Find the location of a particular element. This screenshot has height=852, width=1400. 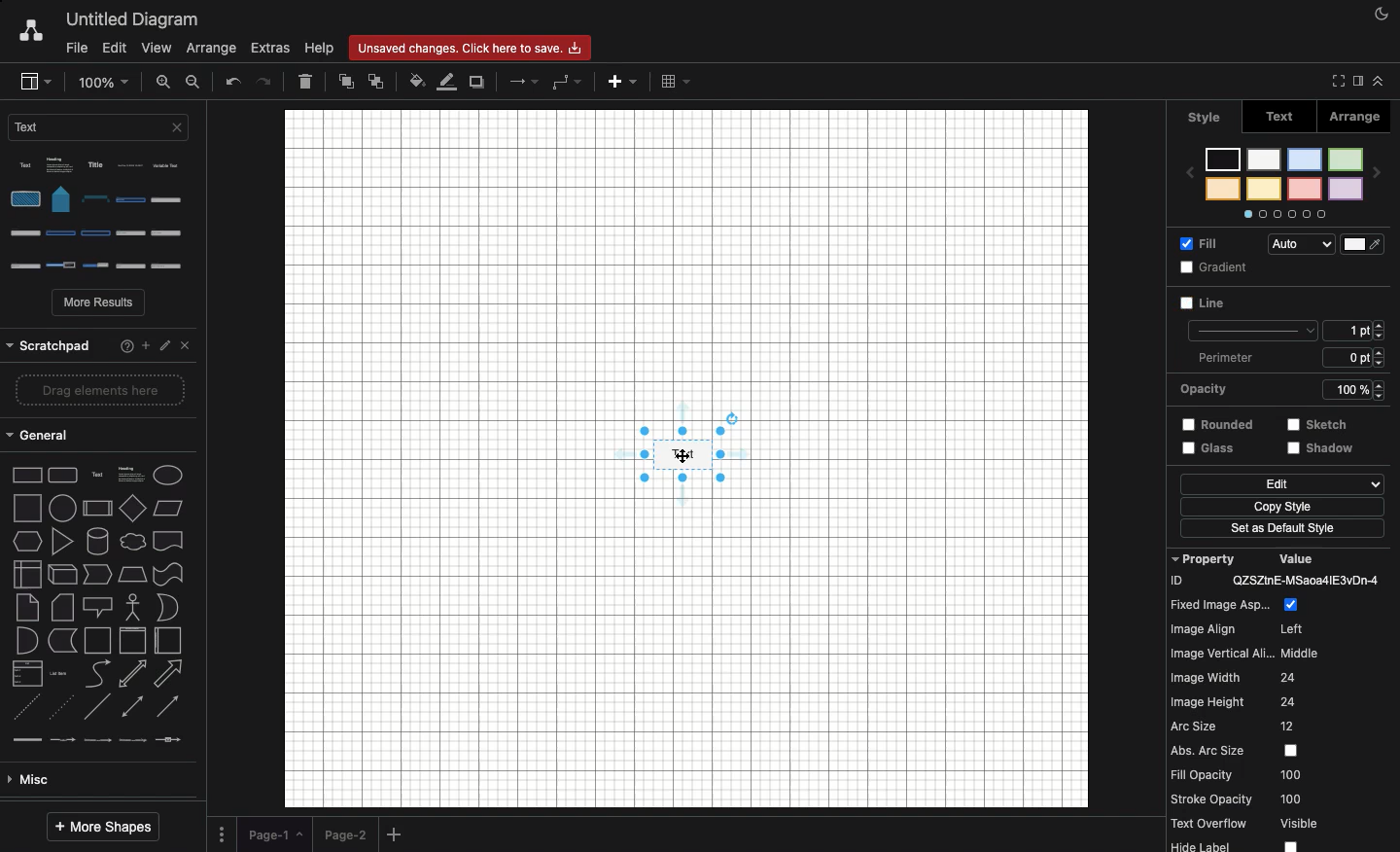

Line fill is located at coordinates (448, 81).